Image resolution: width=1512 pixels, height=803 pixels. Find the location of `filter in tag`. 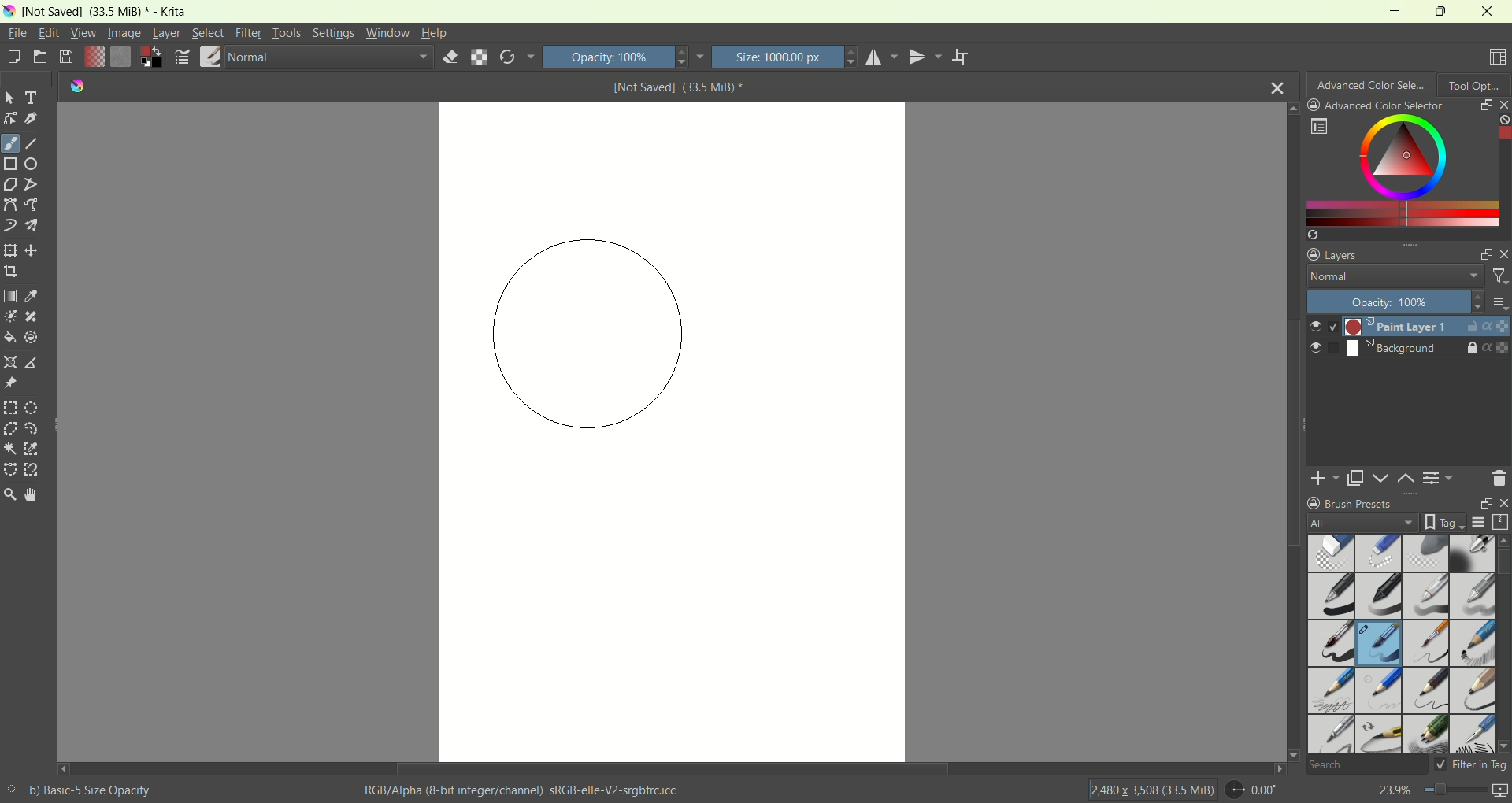

filter in tag is located at coordinates (1471, 764).